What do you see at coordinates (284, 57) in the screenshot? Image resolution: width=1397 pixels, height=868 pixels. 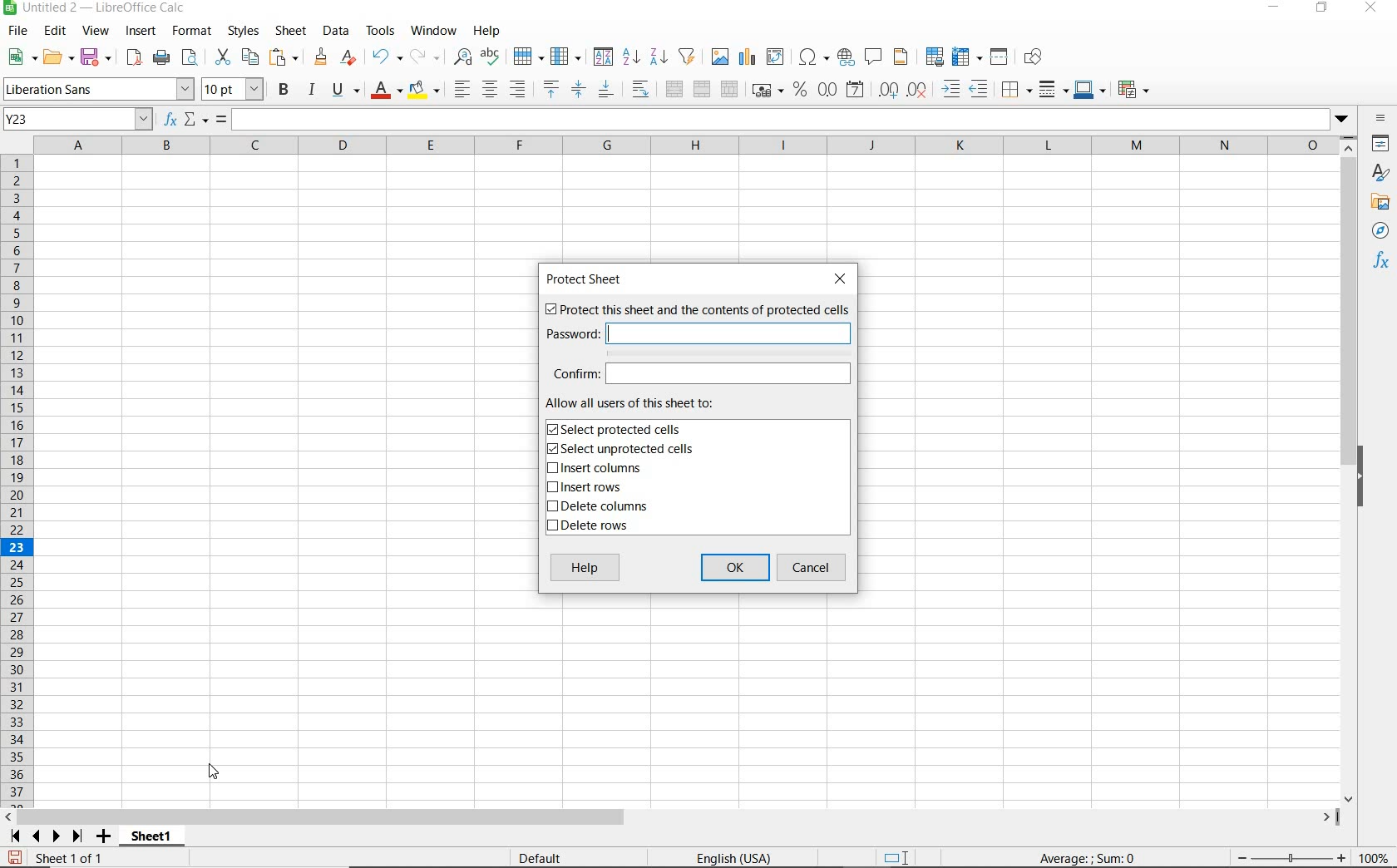 I see `PASTE` at bounding box center [284, 57].